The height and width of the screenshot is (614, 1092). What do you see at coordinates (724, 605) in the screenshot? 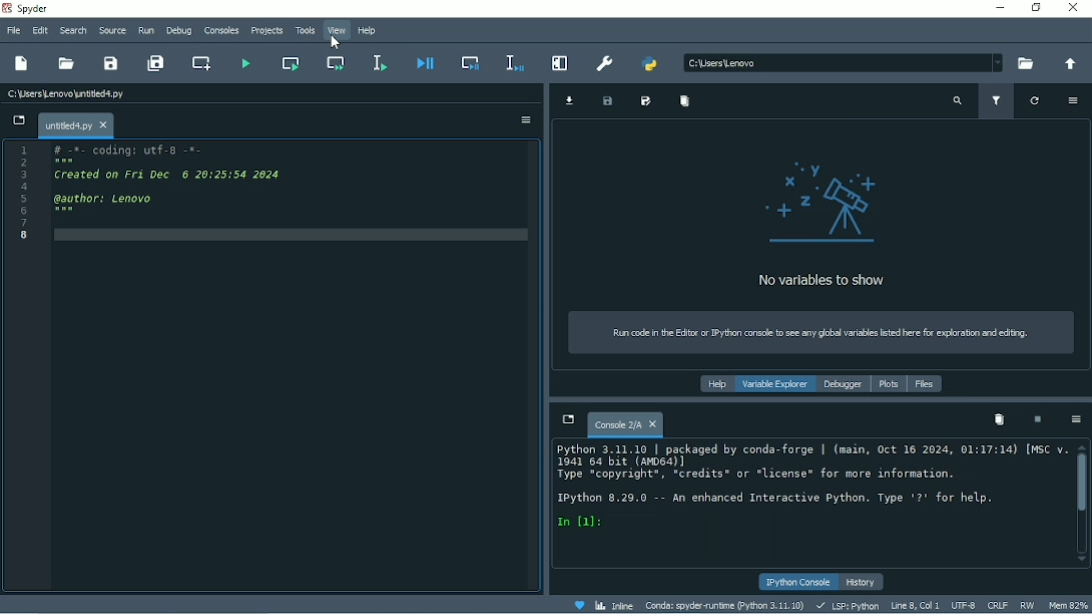
I see `Conda` at bounding box center [724, 605].